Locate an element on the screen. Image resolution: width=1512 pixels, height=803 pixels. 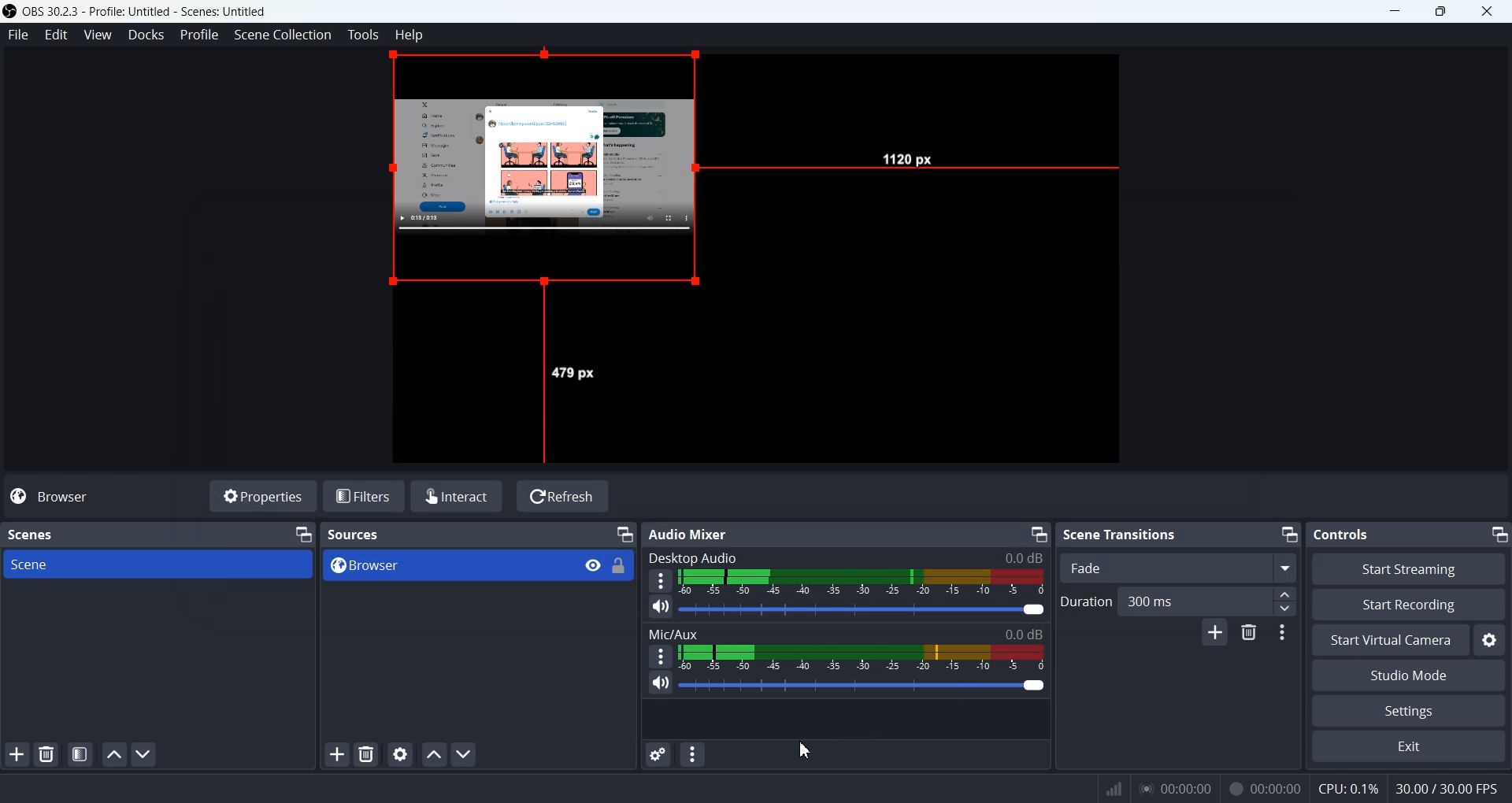
00:00:00 is located at coordinates (1266, 786).